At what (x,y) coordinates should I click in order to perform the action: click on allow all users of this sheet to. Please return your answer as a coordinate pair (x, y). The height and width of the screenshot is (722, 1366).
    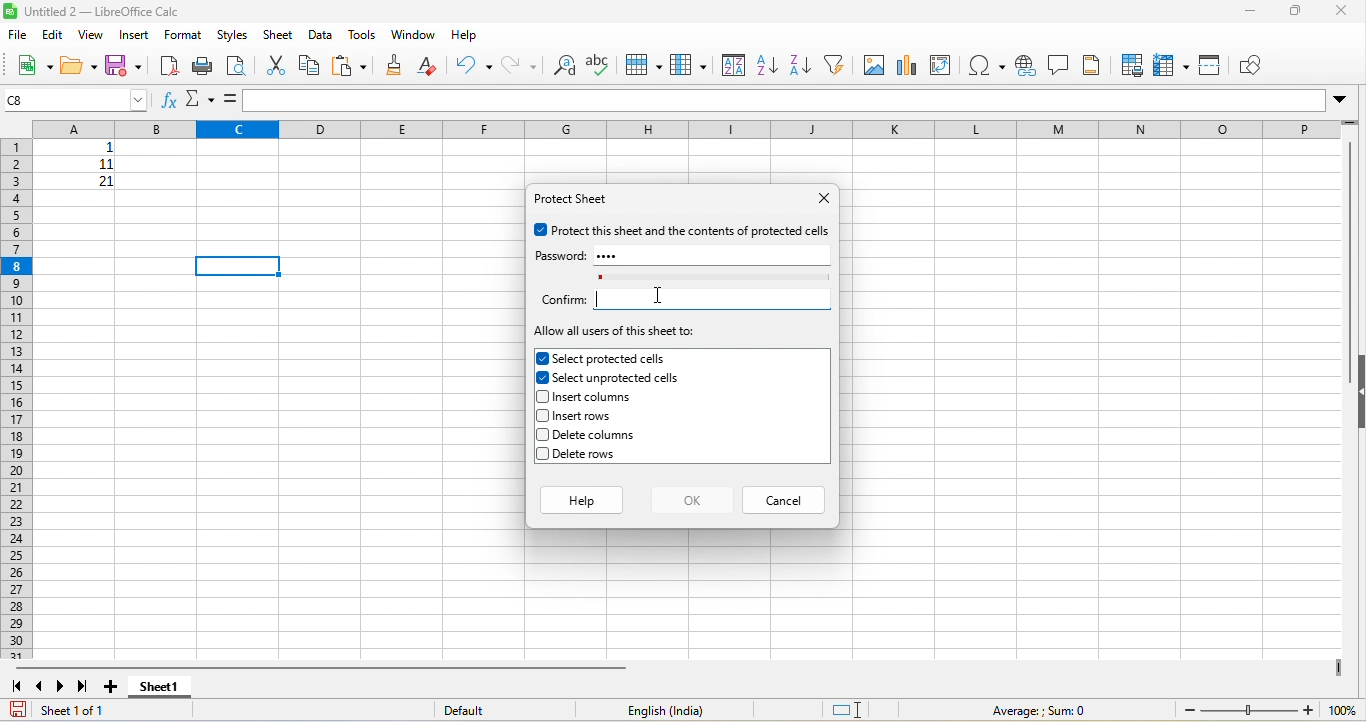
    Looking at the image, I should click on (617, 333).